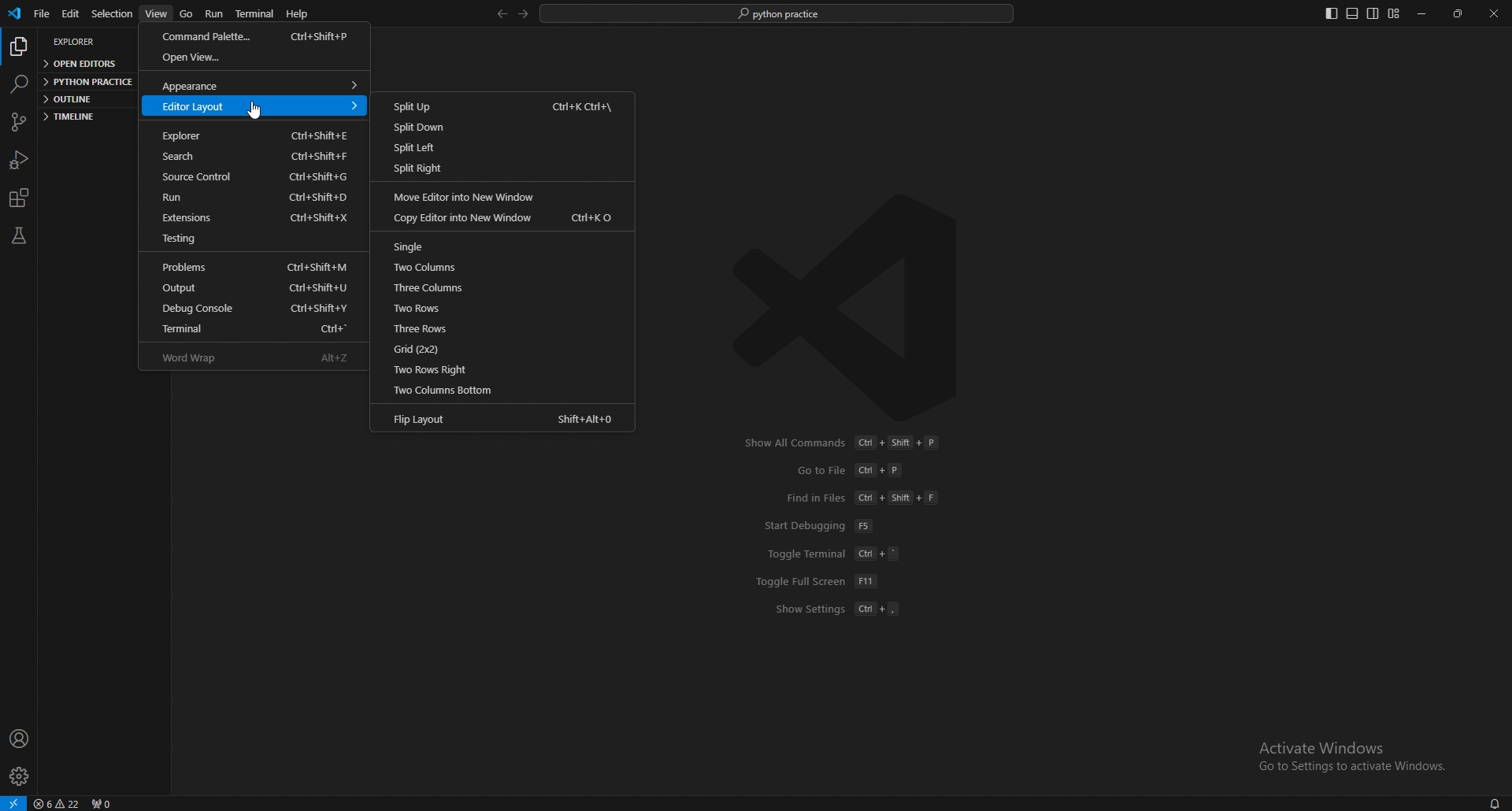  Describe the element at coordinates (500, 130) in the screenshot. I see `split down` at that location.